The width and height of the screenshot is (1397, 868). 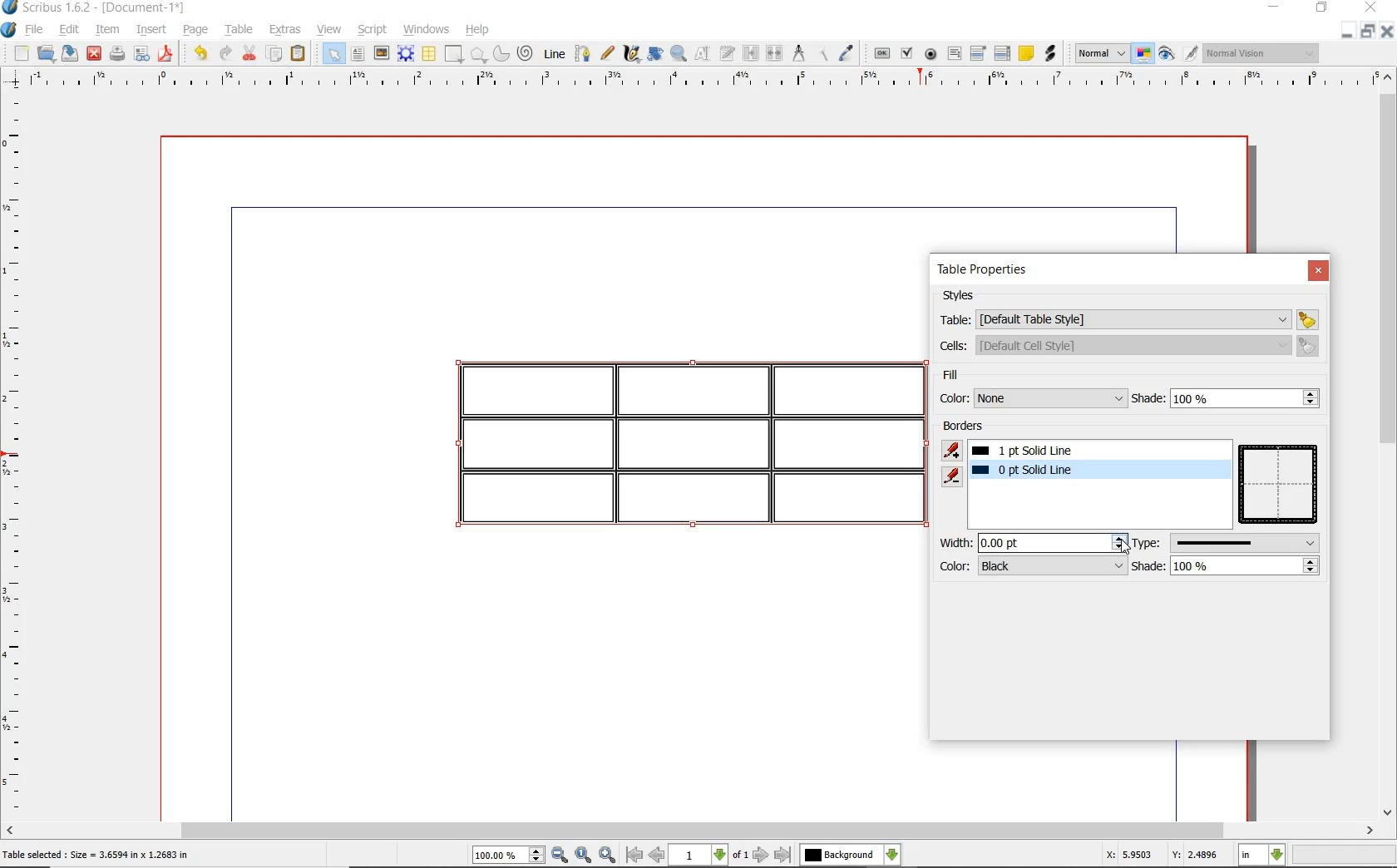 I want to click on fill, so click(x=974, y=377).